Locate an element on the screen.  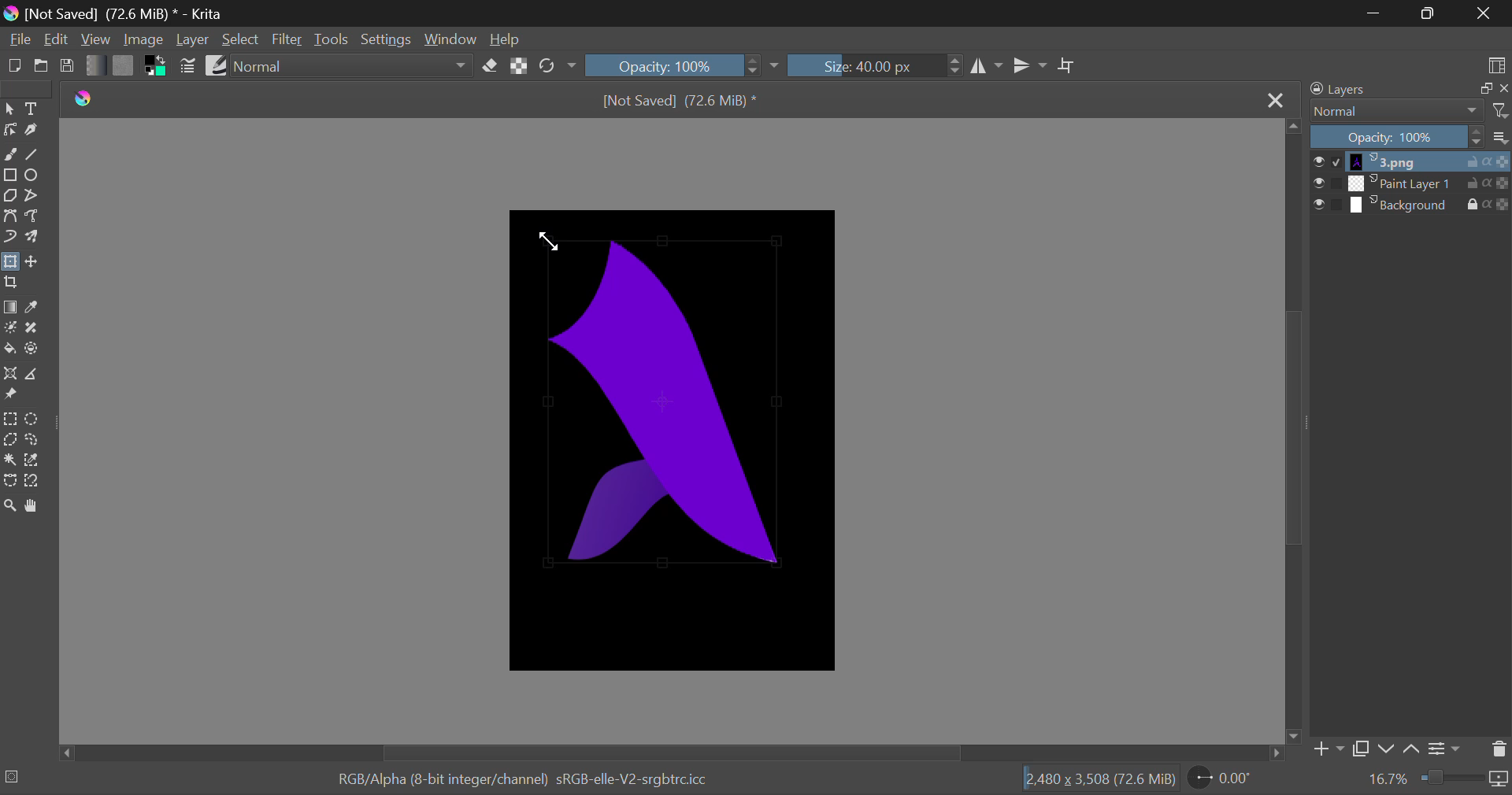
Rectangle is located at coordinates (13, 175).